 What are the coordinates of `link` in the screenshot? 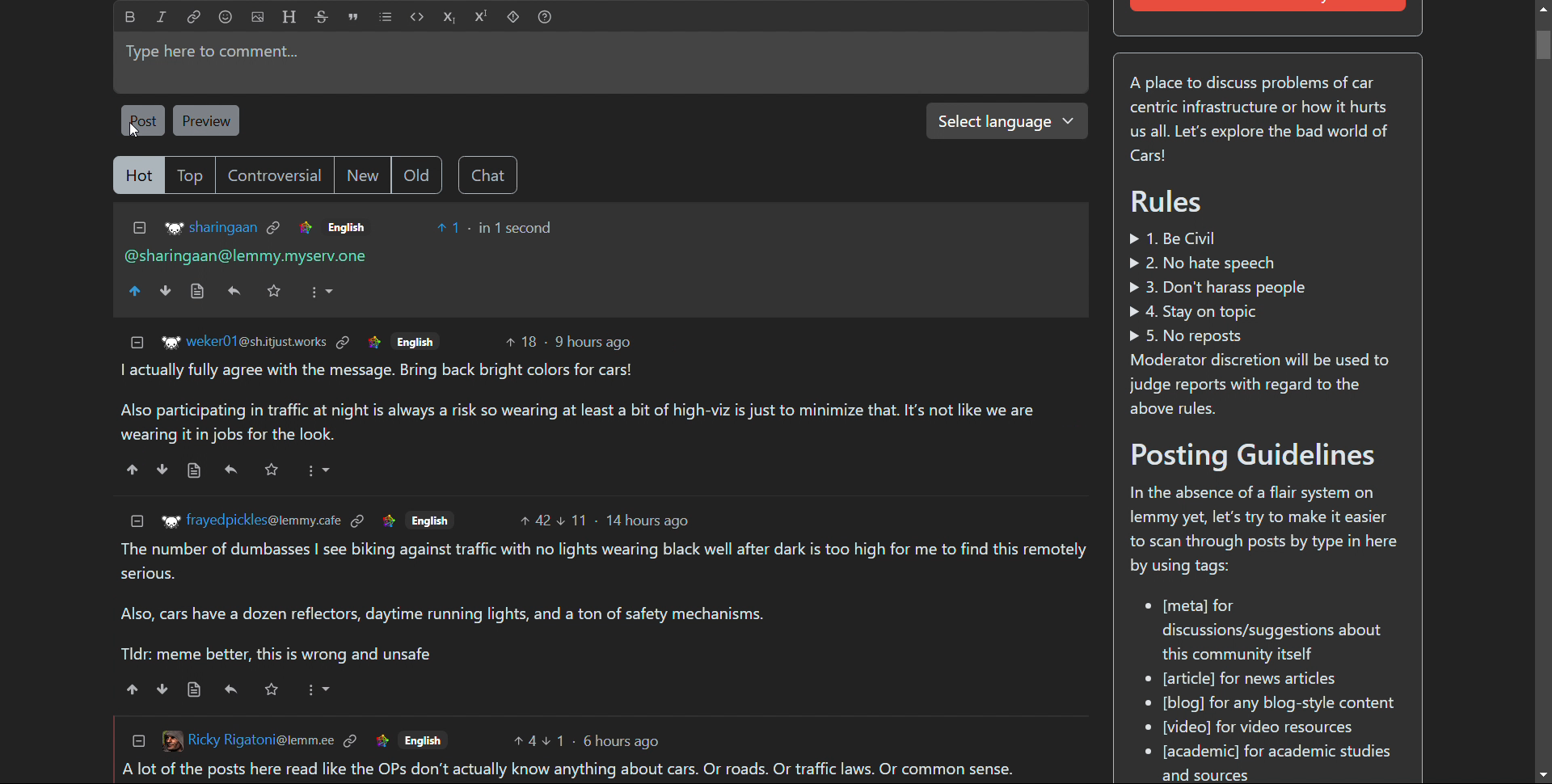 It's located at (194, 18).